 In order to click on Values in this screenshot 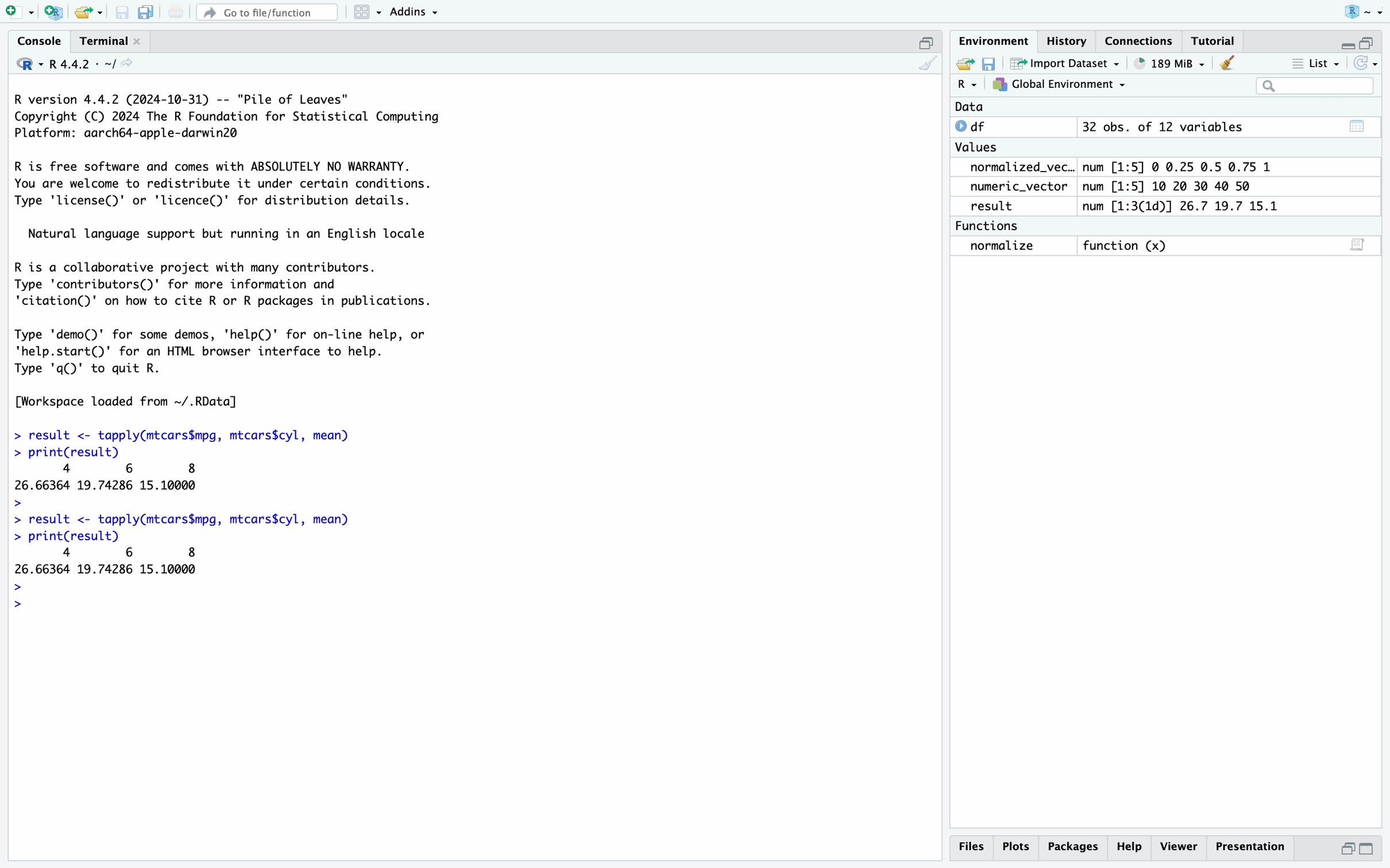, I will do `click(976, 148)`.